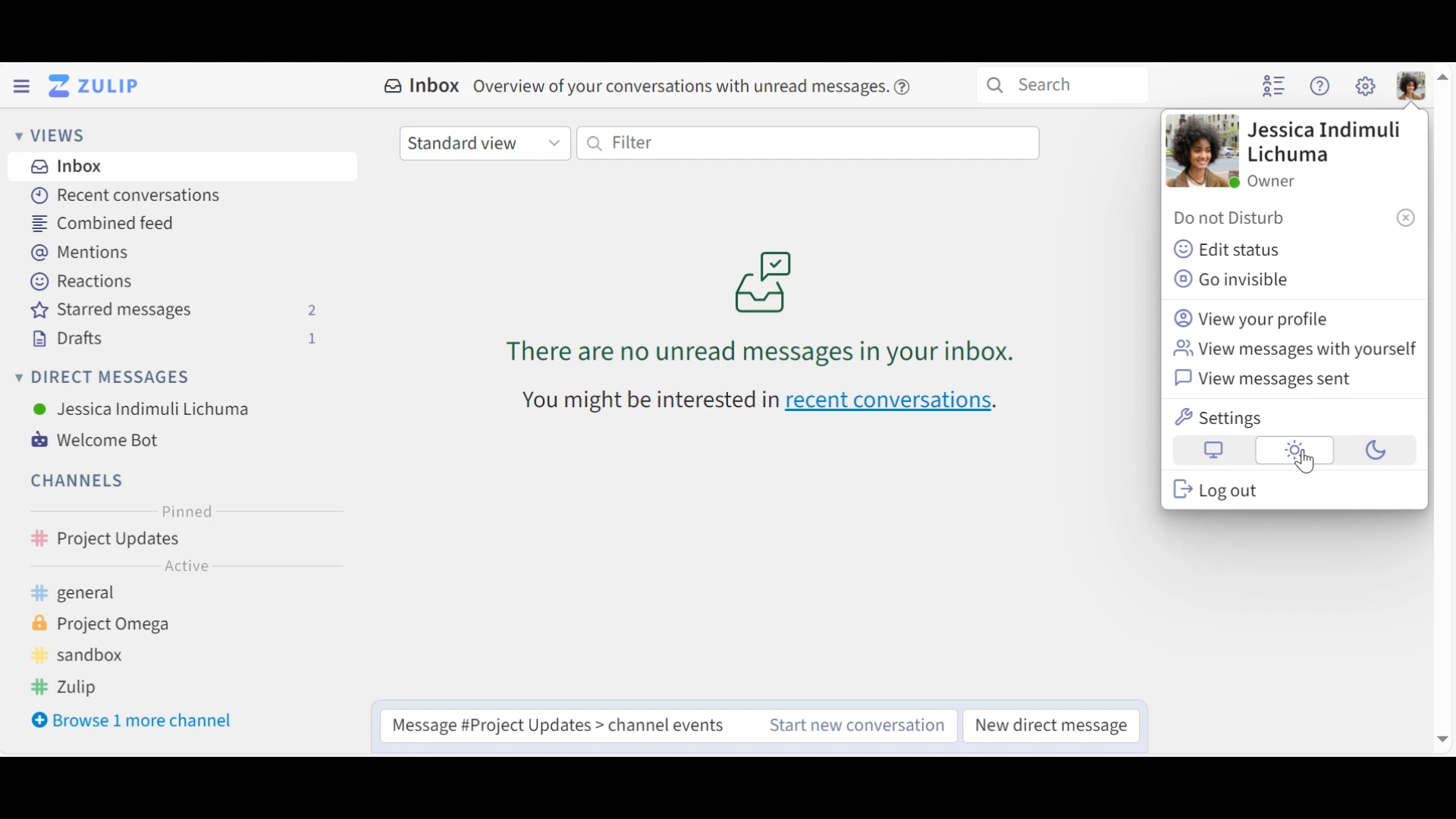 This screenshot has width=1456, height=819. What do you see at coordinates (1200, 152) in the screenshot?
I see `Profile photo` at bounding box center [1200, 152].